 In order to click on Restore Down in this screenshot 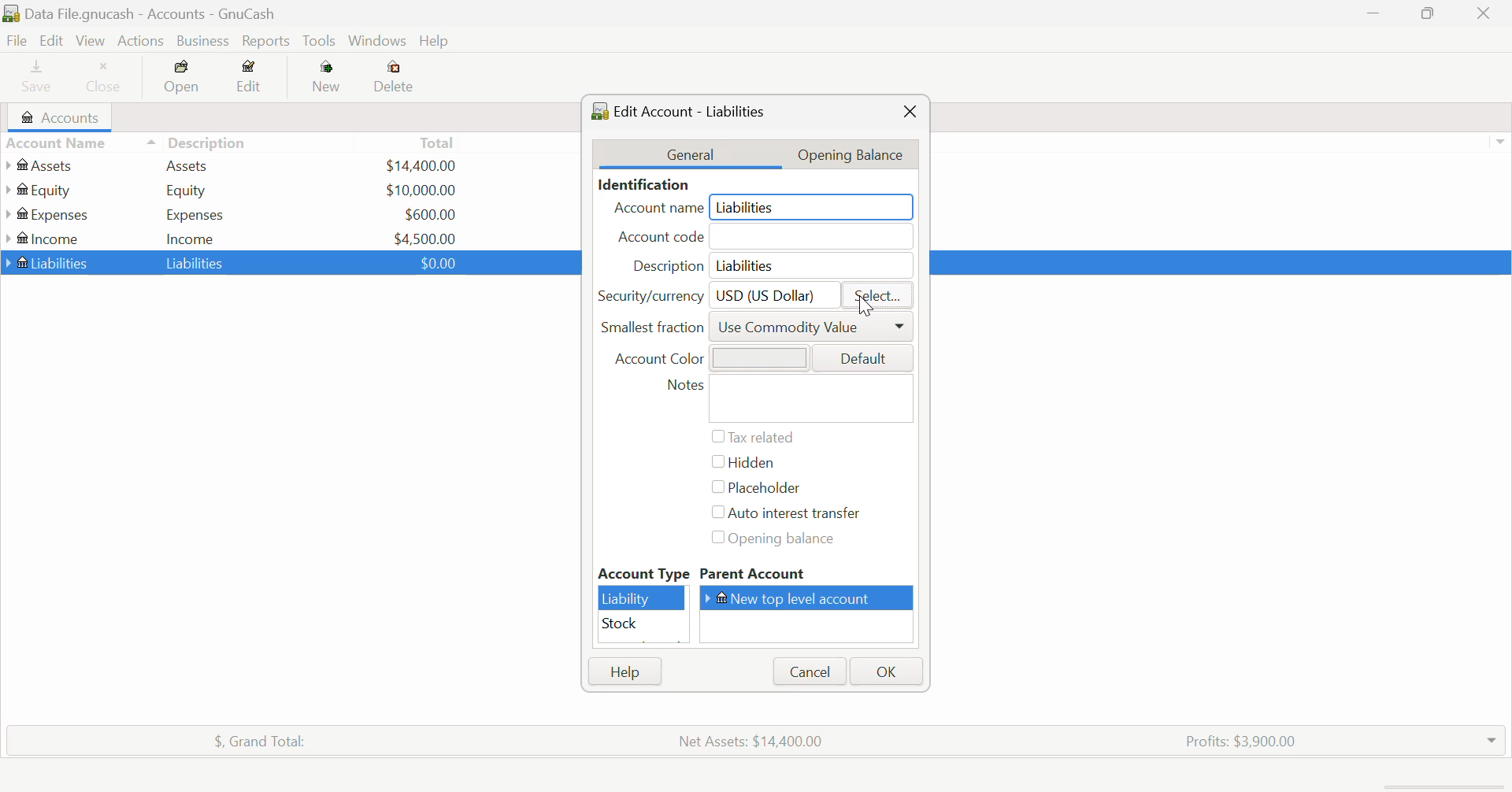, I will do `click(1374, 15)`.